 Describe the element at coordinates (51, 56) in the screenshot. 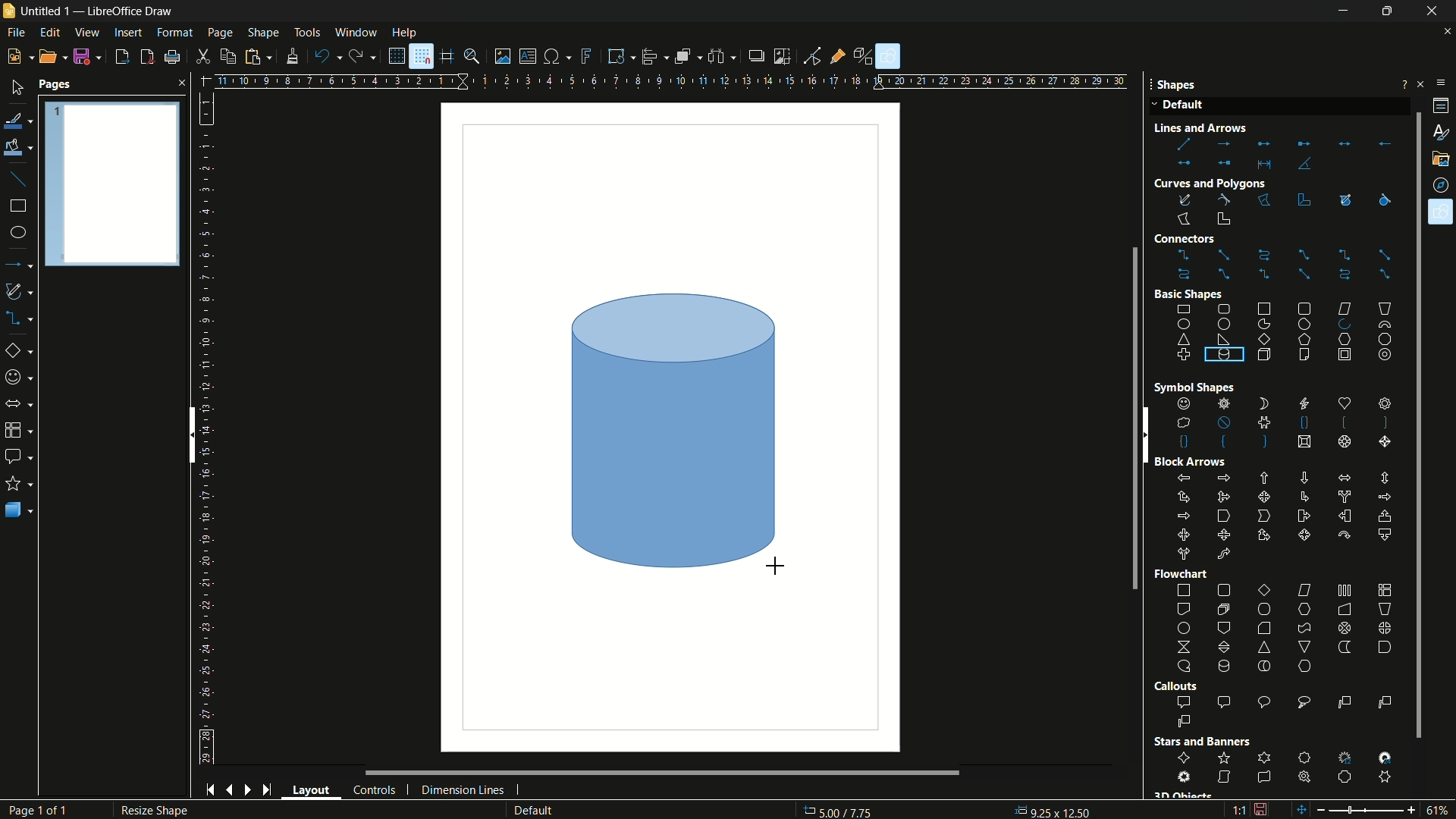

I see `open file` at that location.